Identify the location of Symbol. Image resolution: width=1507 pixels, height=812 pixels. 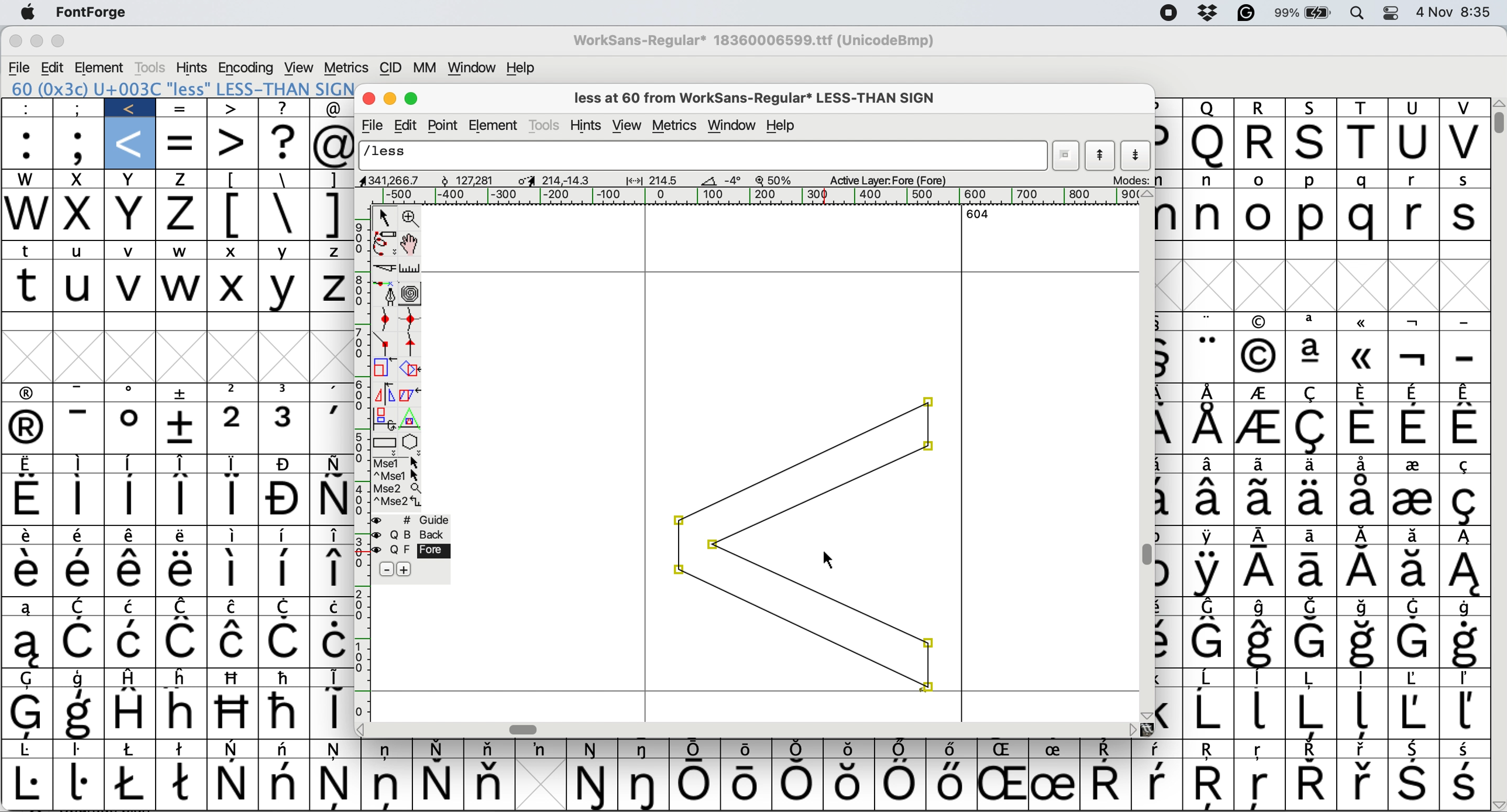
(1169, 429).